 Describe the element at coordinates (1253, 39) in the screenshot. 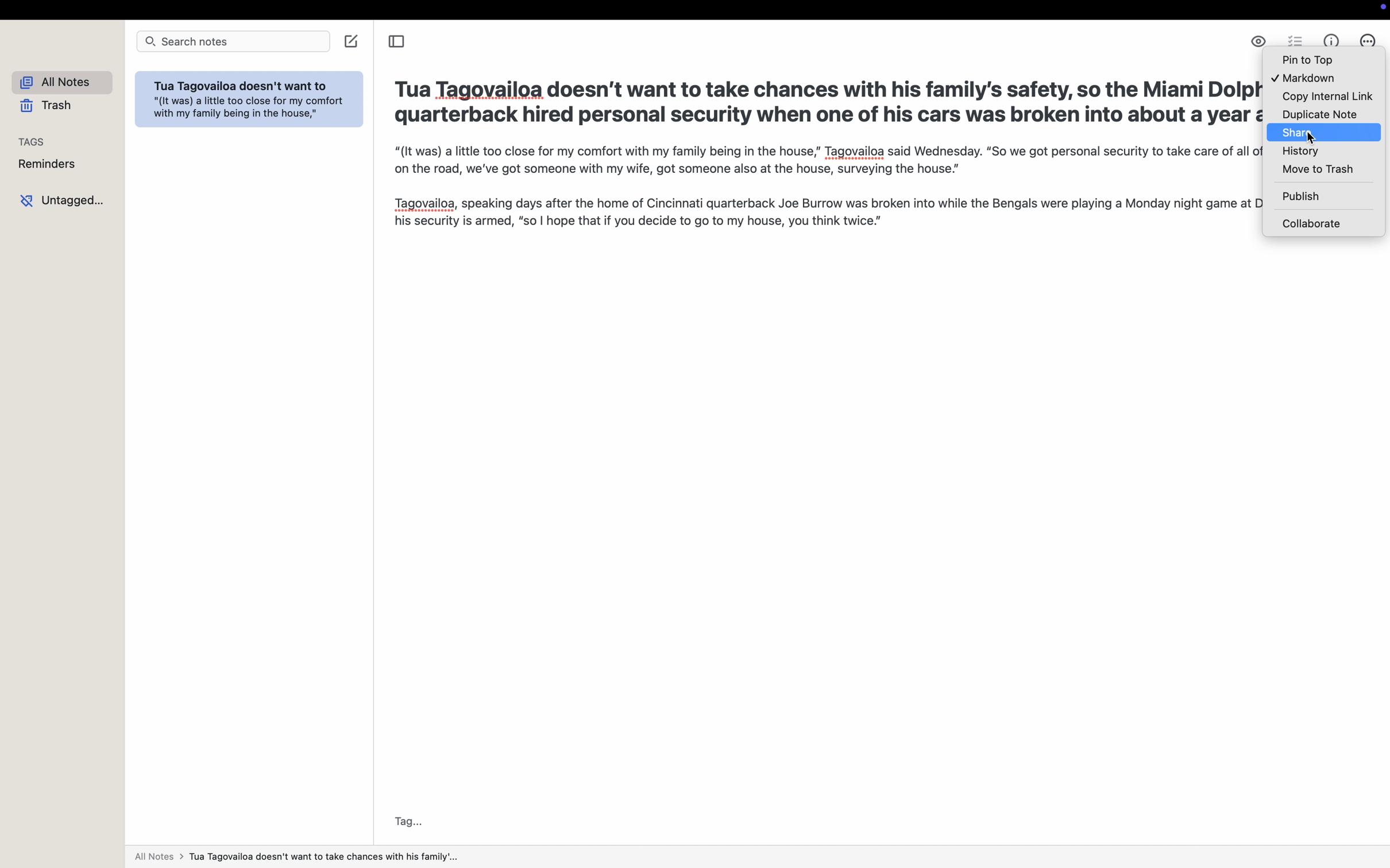

I see `enable markdown` at that location.